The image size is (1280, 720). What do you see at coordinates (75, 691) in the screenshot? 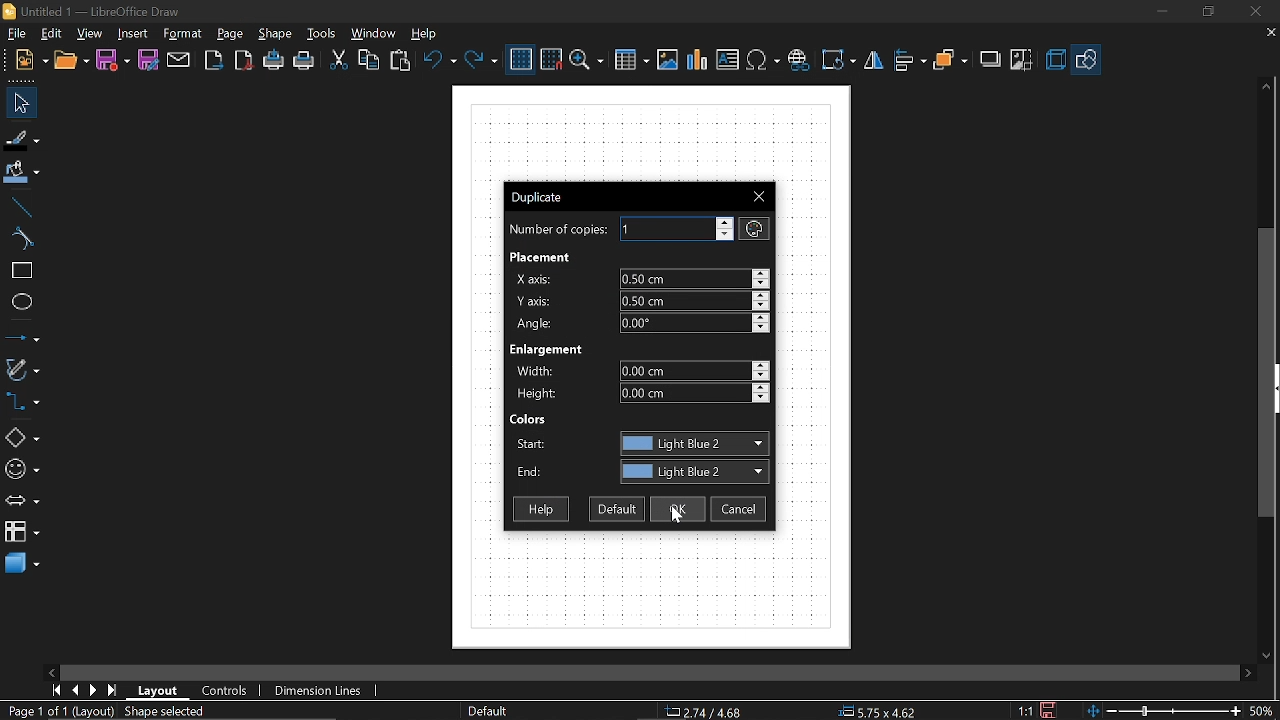
I see `previous page` at bounding box center [75, 691].